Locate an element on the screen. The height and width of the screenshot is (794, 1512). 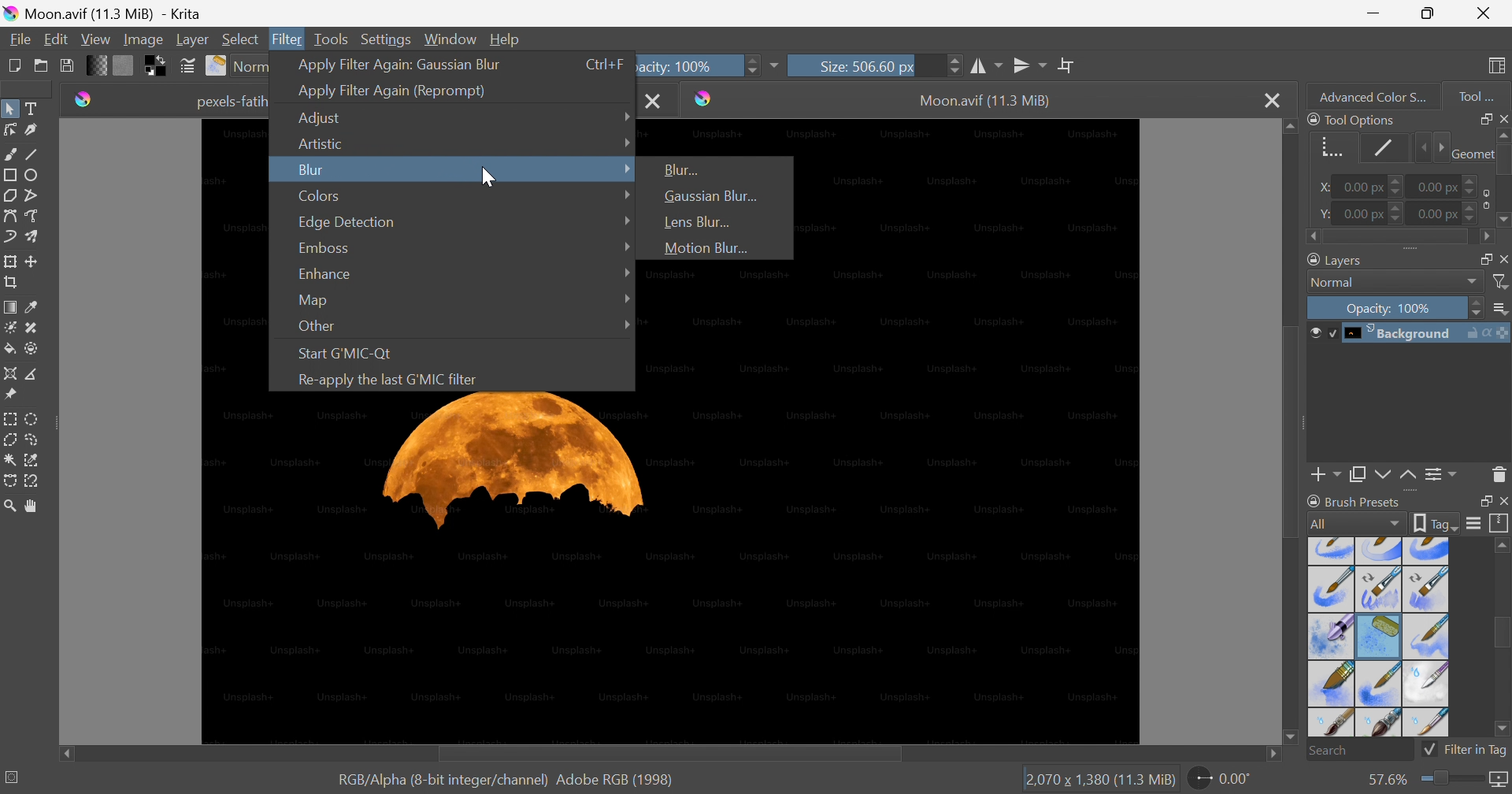
Restore down is located at coordinates (1480, 258).